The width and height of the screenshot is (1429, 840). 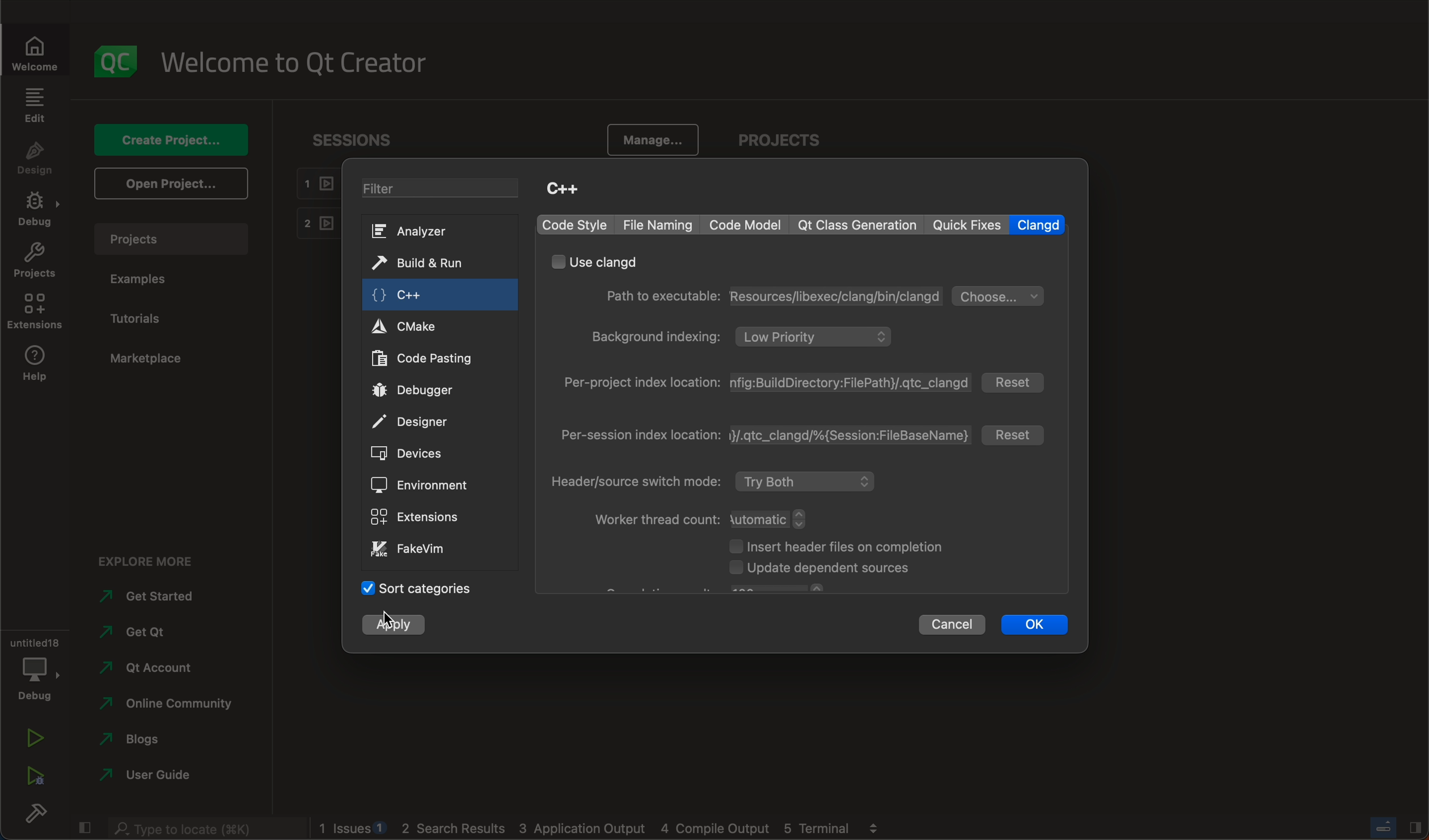 What do you see at coordinates (417, 232) in the screenshot?
I see `kits` at bounding box center [417, 232].